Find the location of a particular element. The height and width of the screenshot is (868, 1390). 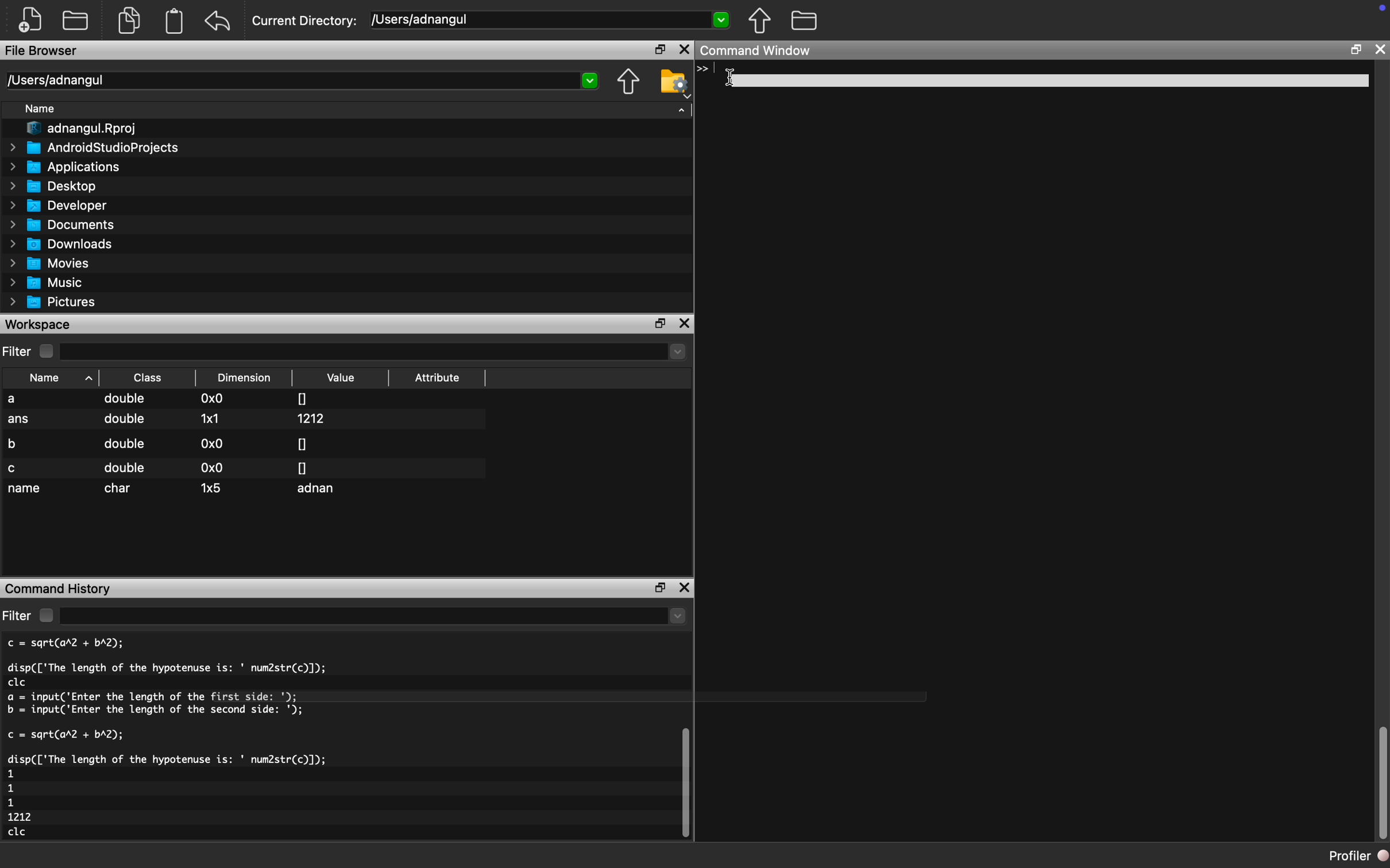

0 is located at coordinates (302, 443).